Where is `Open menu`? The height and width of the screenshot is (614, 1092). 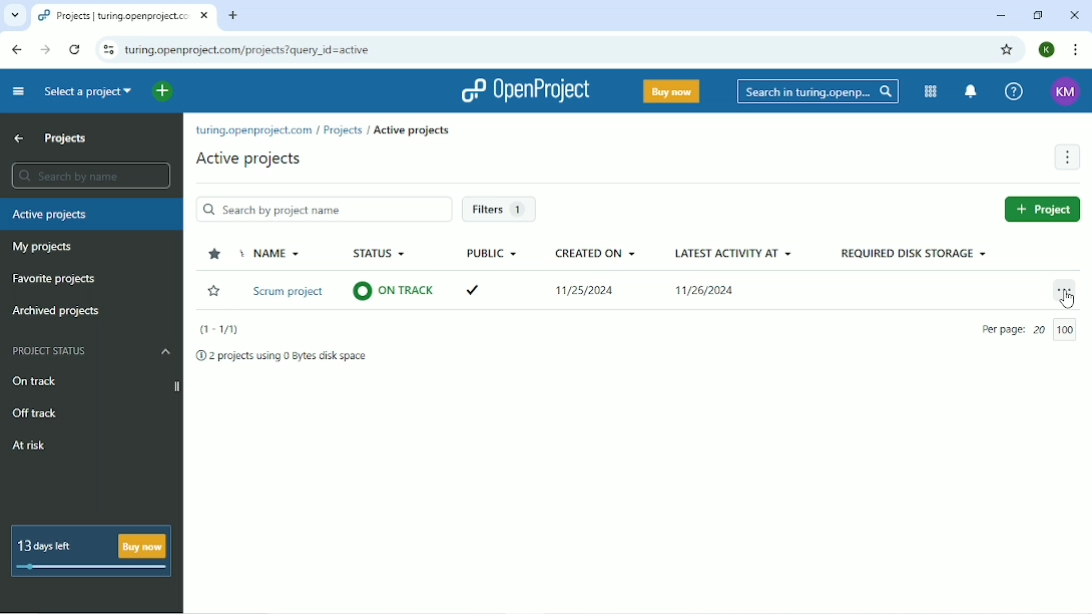 Open menu is located at coordinates (1065, 292).